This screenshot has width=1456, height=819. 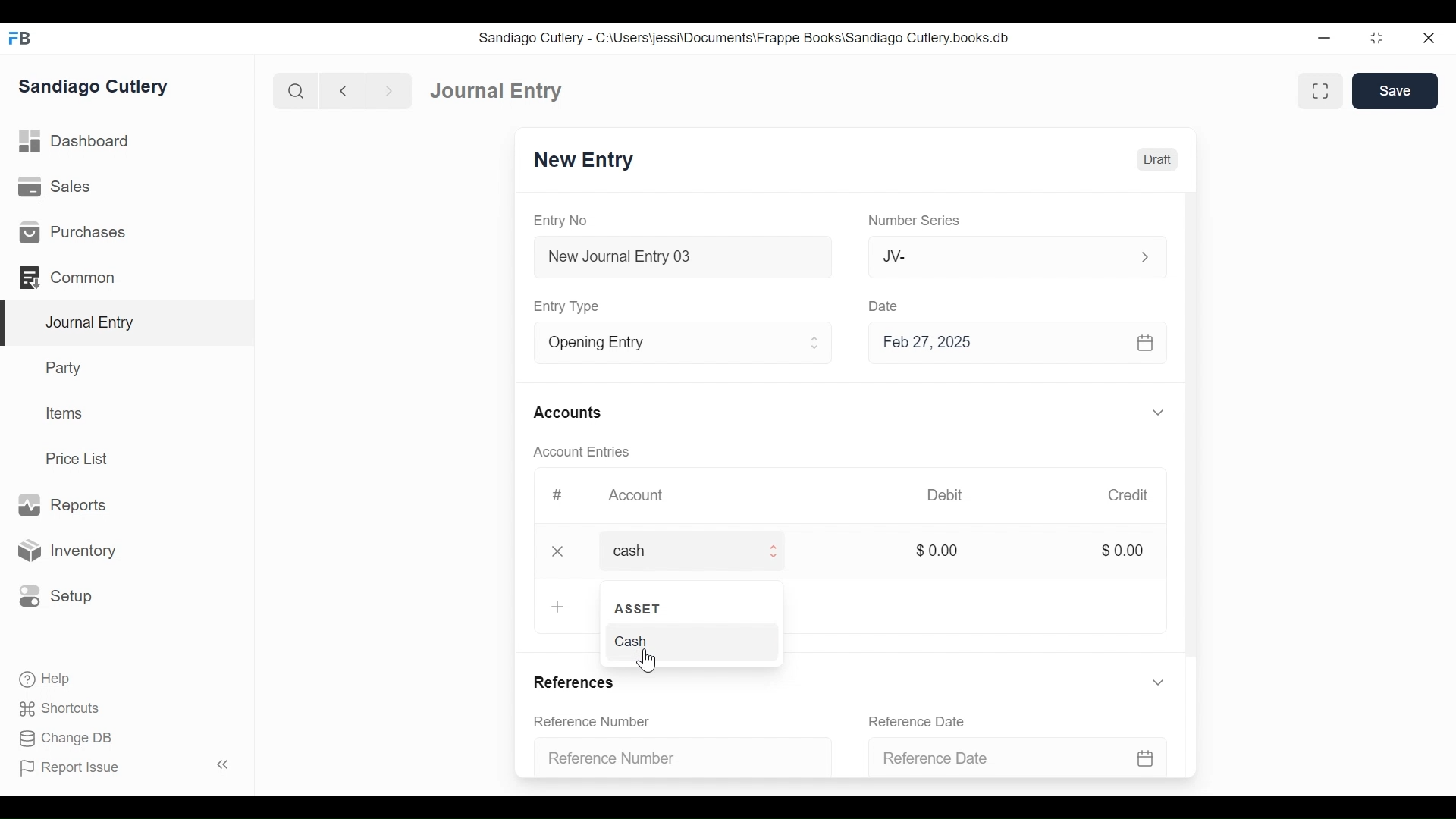 I want to click on Price List, so click(x=80, y=458).